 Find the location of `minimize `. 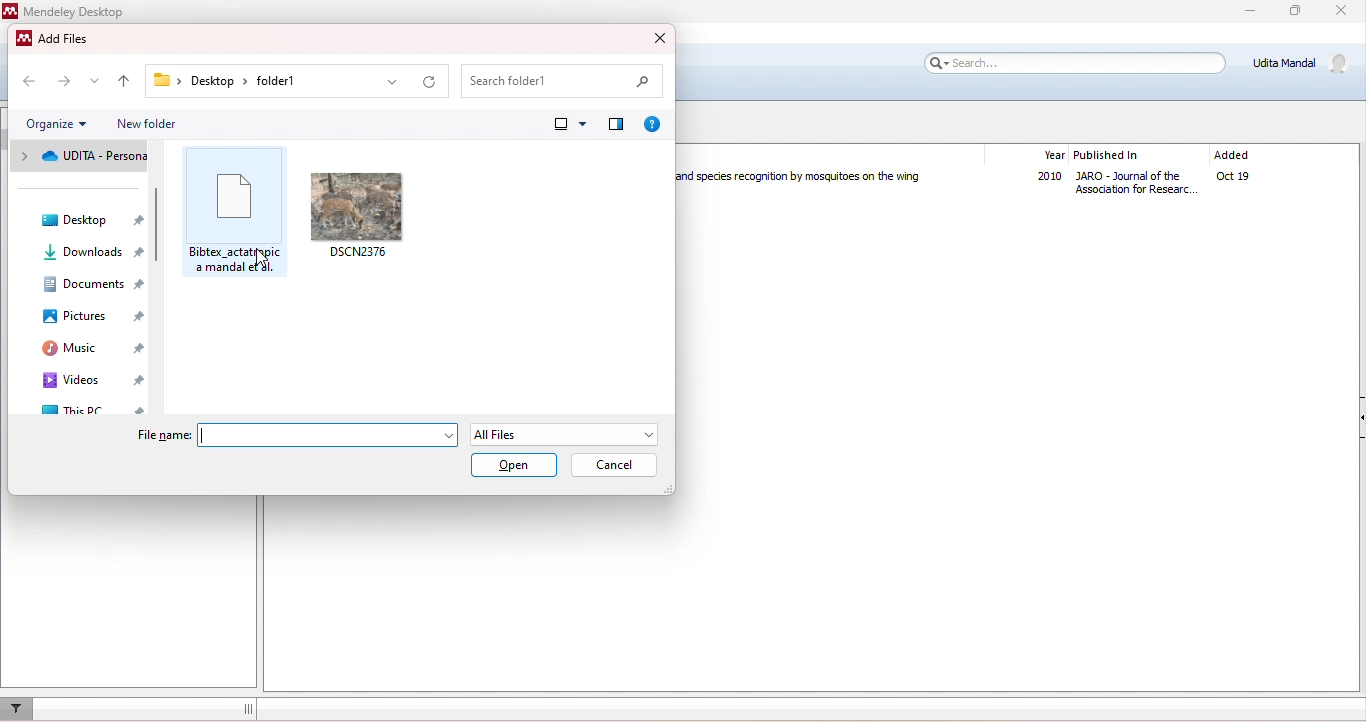

minimize  is located at coordinates (1248, 12).